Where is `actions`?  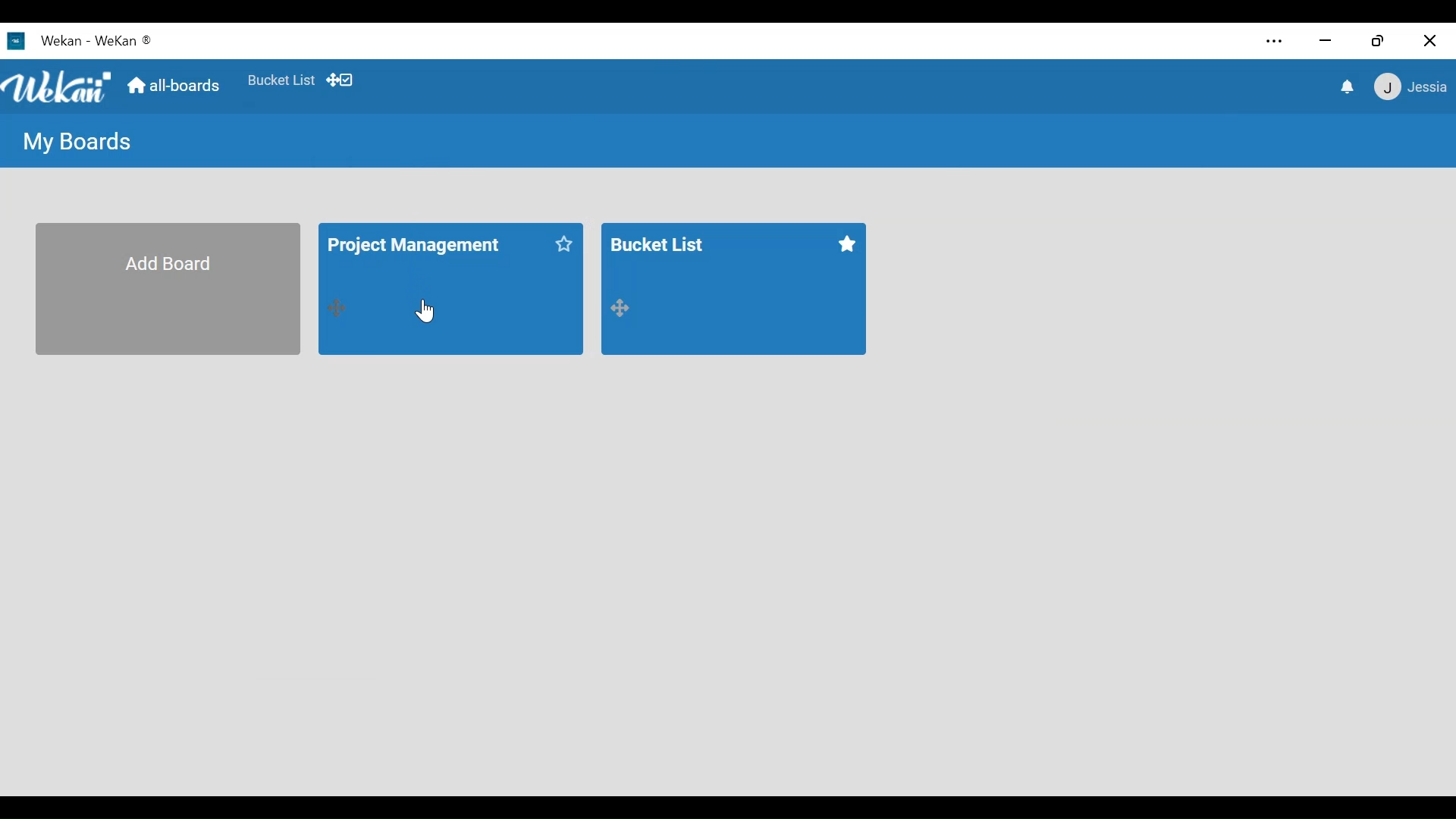 actions is located at coordinates (622, 306).